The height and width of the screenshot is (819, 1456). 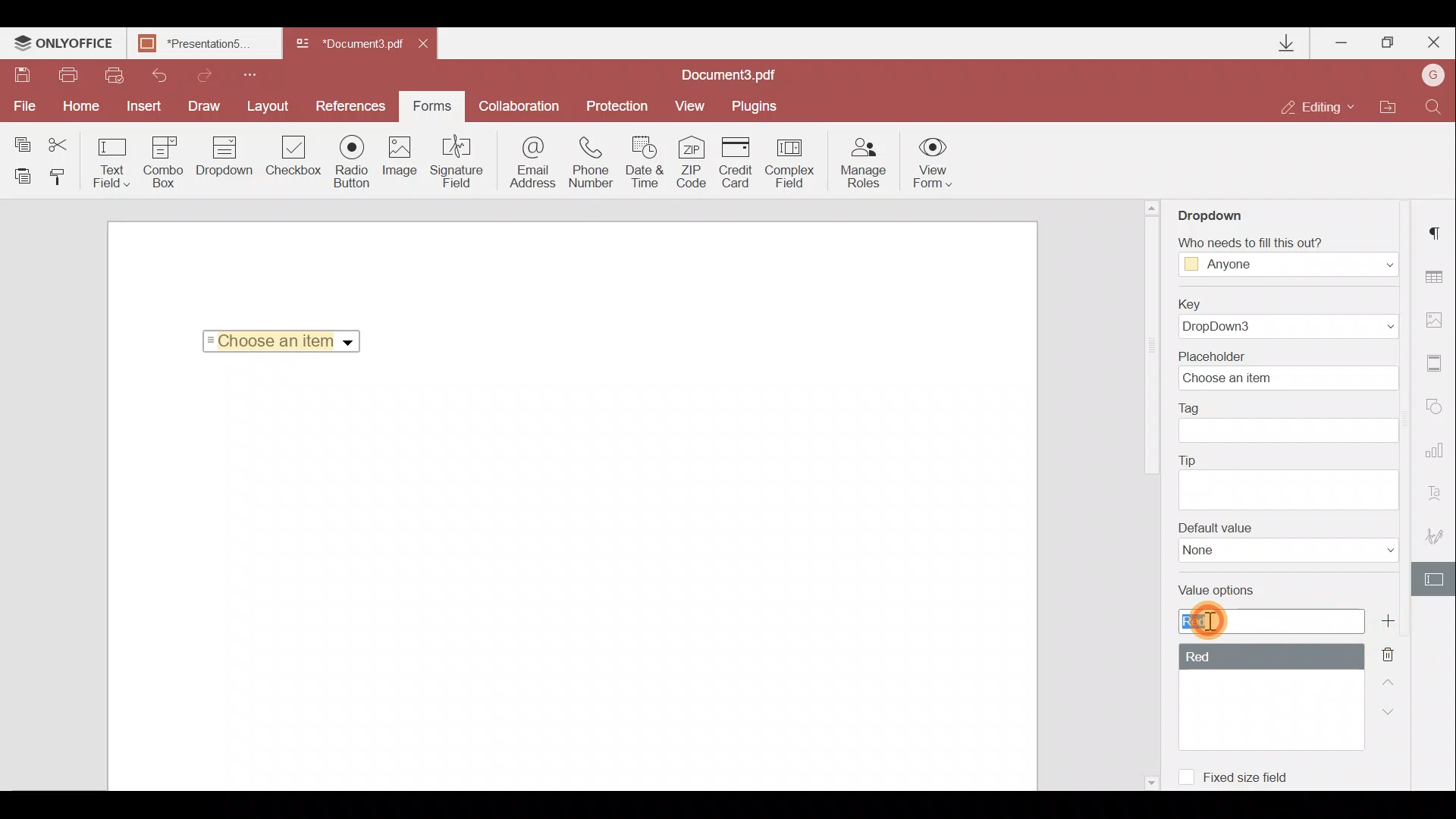 What do you see at coordinates (22, 75) in the screenshot?
I see `Save` at bounding box center [22, 75].